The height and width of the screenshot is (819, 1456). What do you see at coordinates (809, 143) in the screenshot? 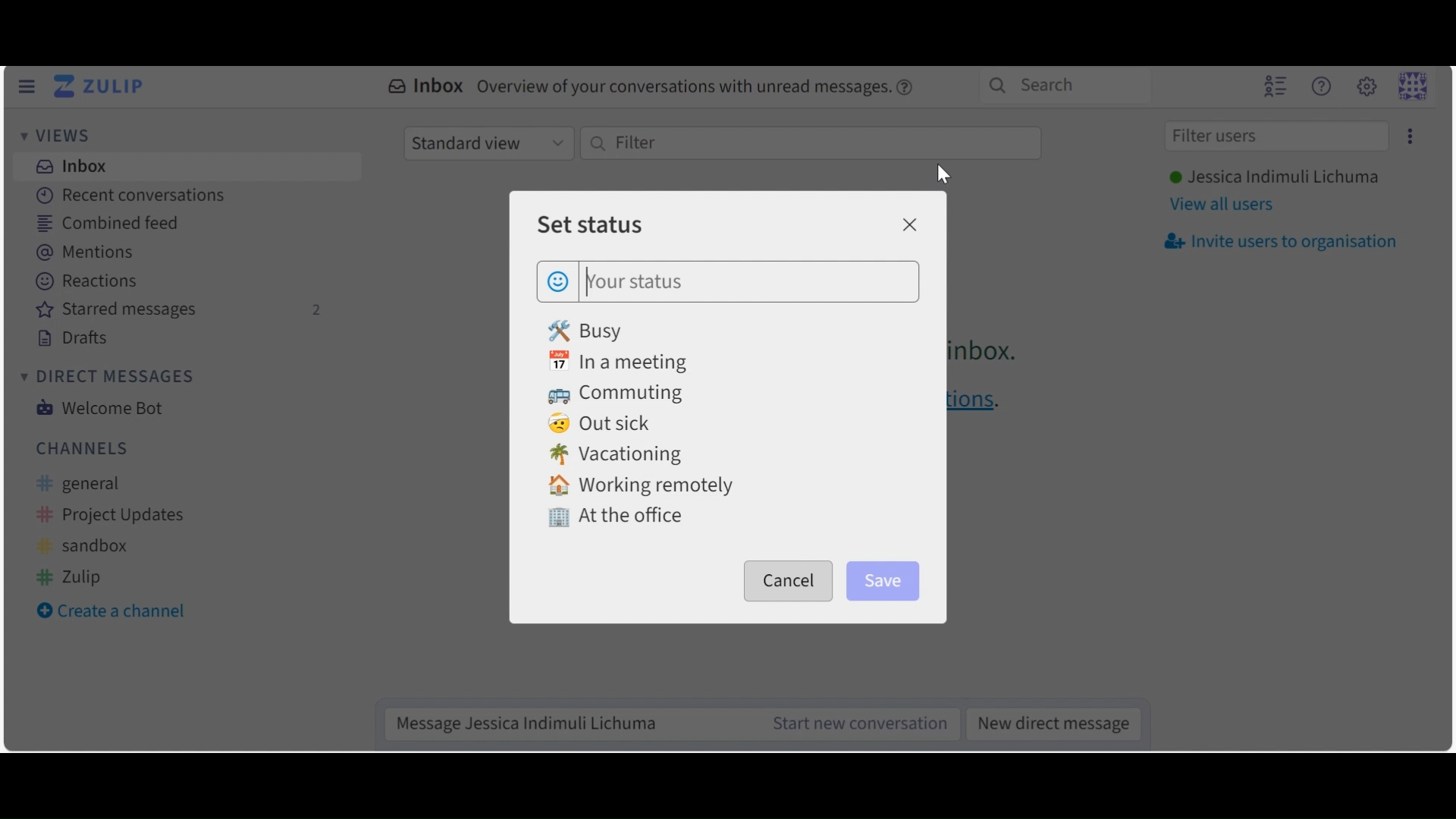
I see `Filter` at bounding box center [809, 143].